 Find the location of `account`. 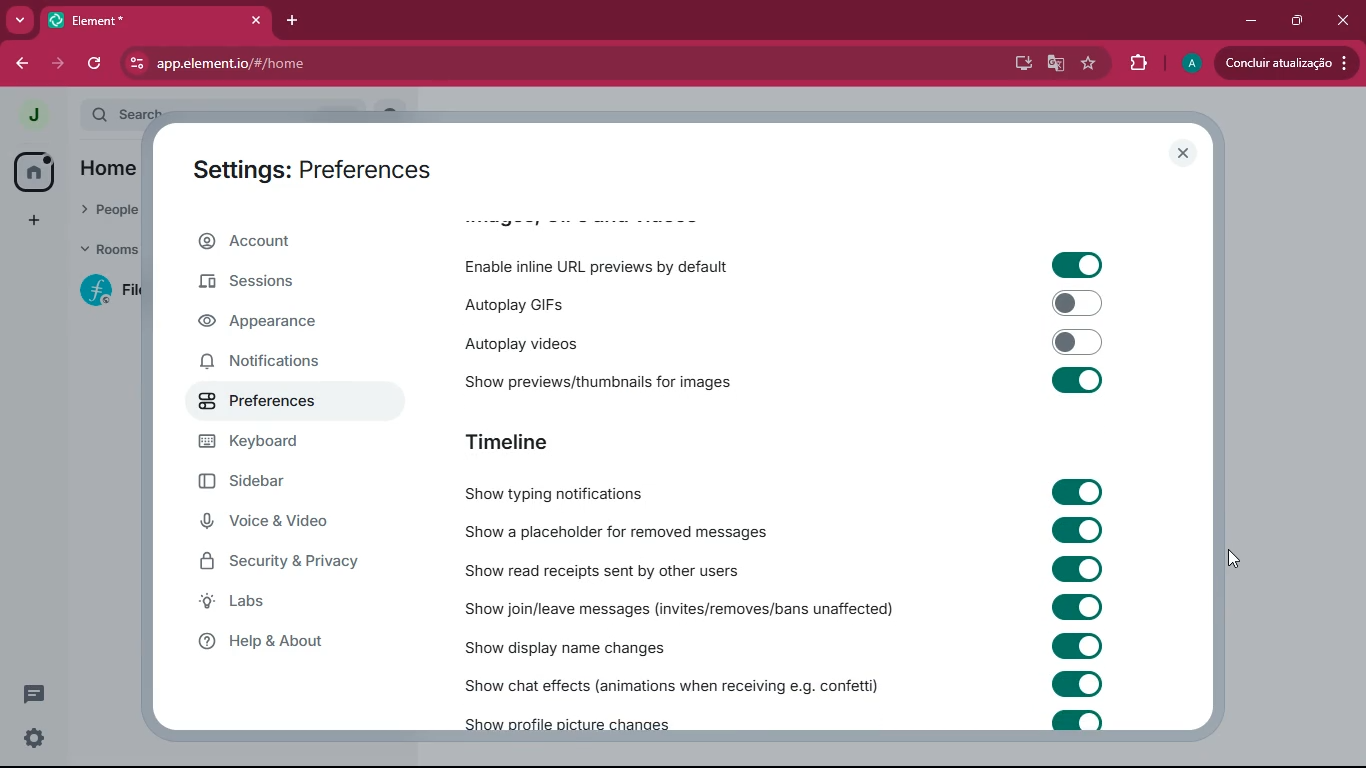

account is located at coordinates (296, 239).